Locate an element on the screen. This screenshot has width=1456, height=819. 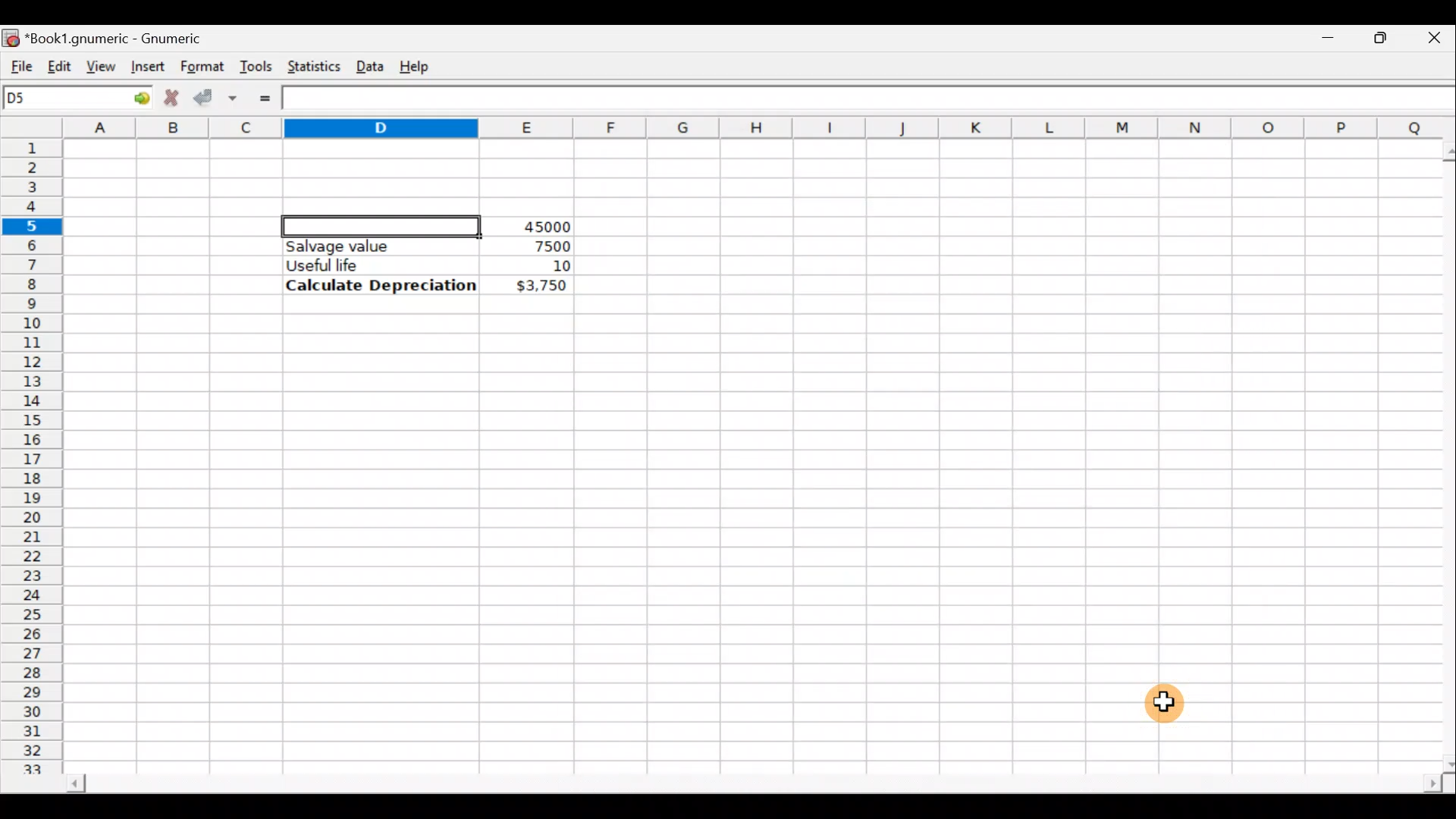
Scroll bar is located at coordinates (752, 786).